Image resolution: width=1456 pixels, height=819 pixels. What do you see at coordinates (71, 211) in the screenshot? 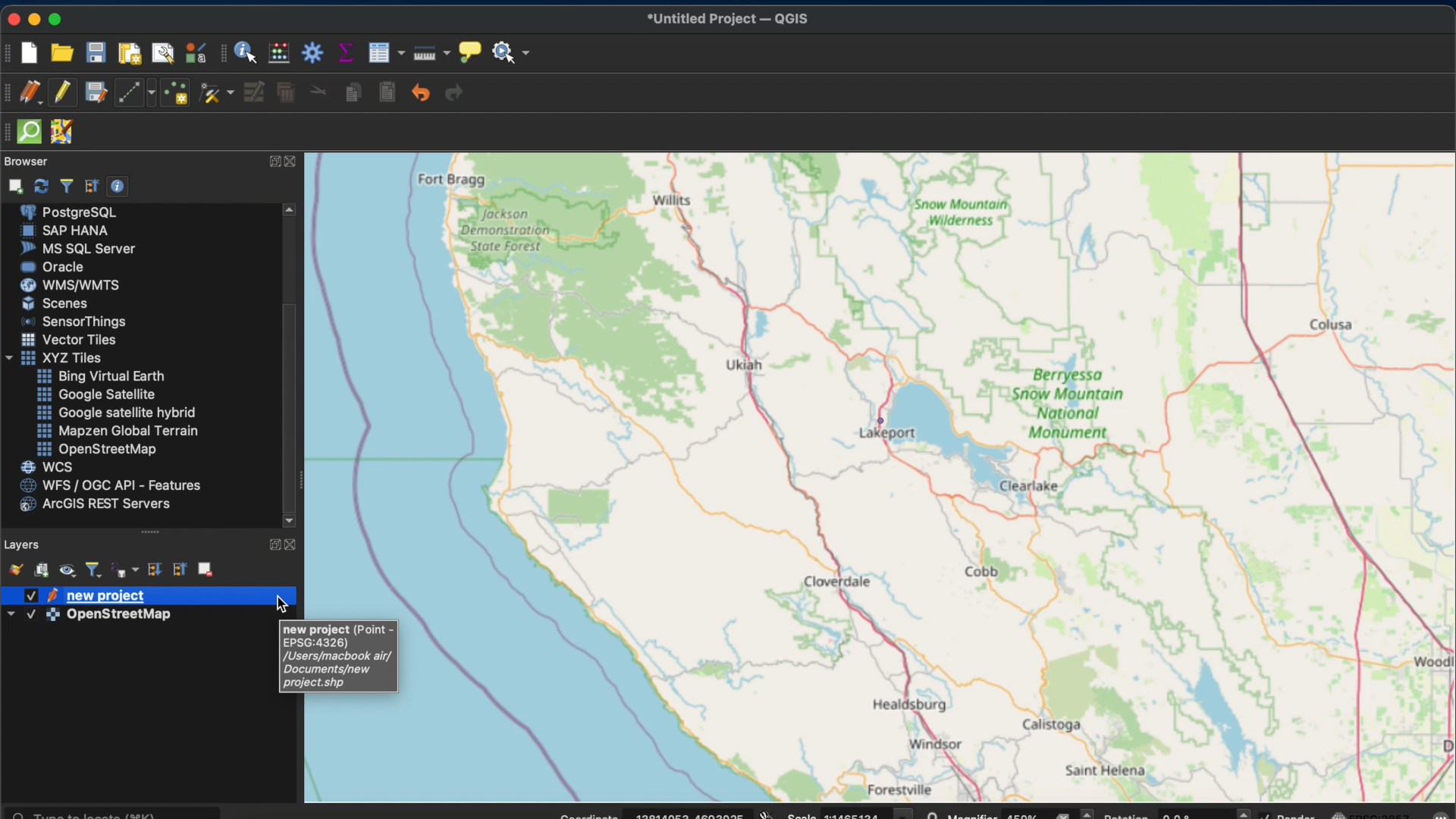
I see `postergre sql` at bounding box center [71, 211].